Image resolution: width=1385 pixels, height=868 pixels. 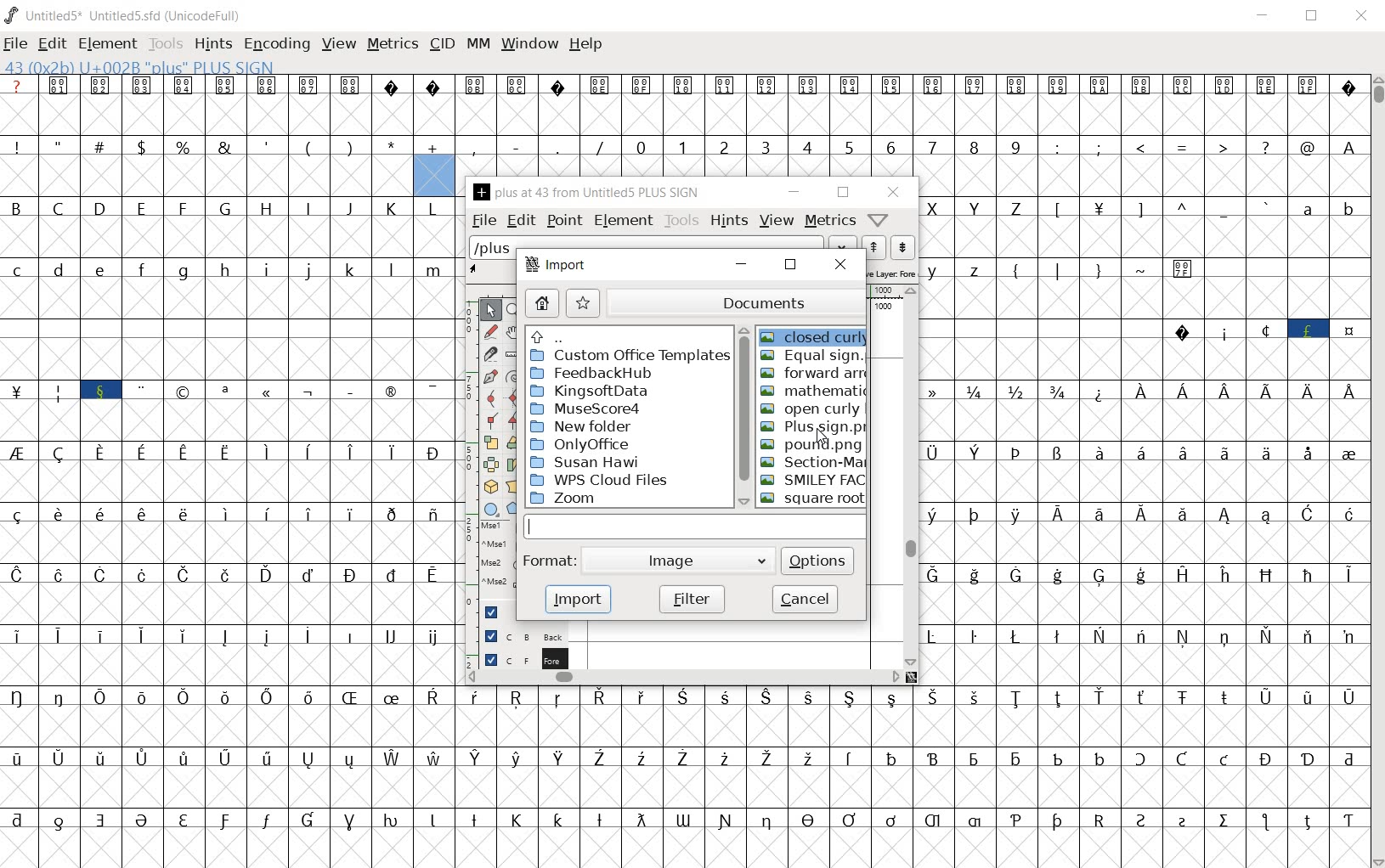 What do you see at coordinates (581, 444) in the screenshot?
I see `OnlyOffice` at bounding box center [581, 444].